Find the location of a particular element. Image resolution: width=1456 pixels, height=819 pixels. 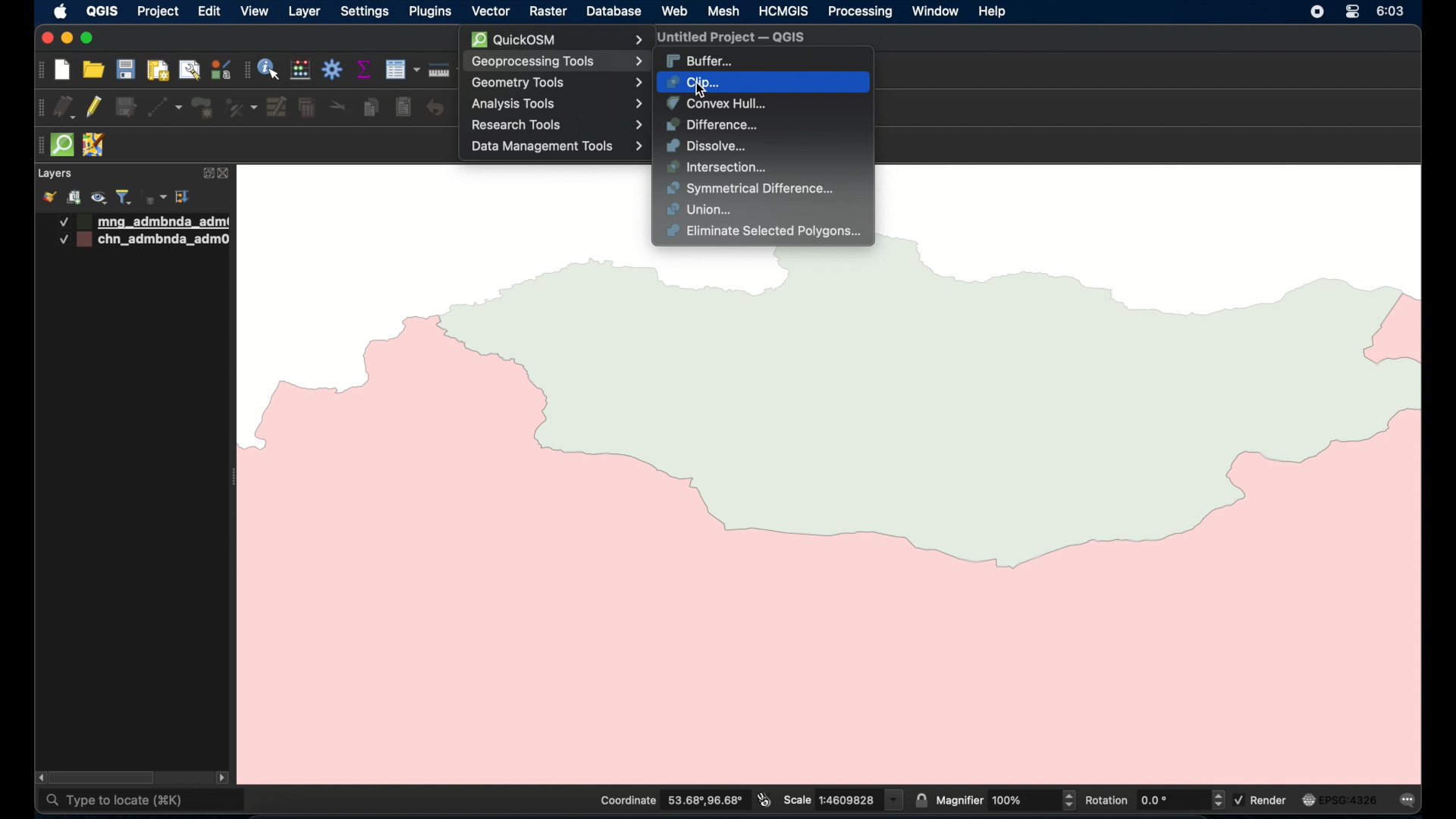

time is located at coordinates (1392, 11).